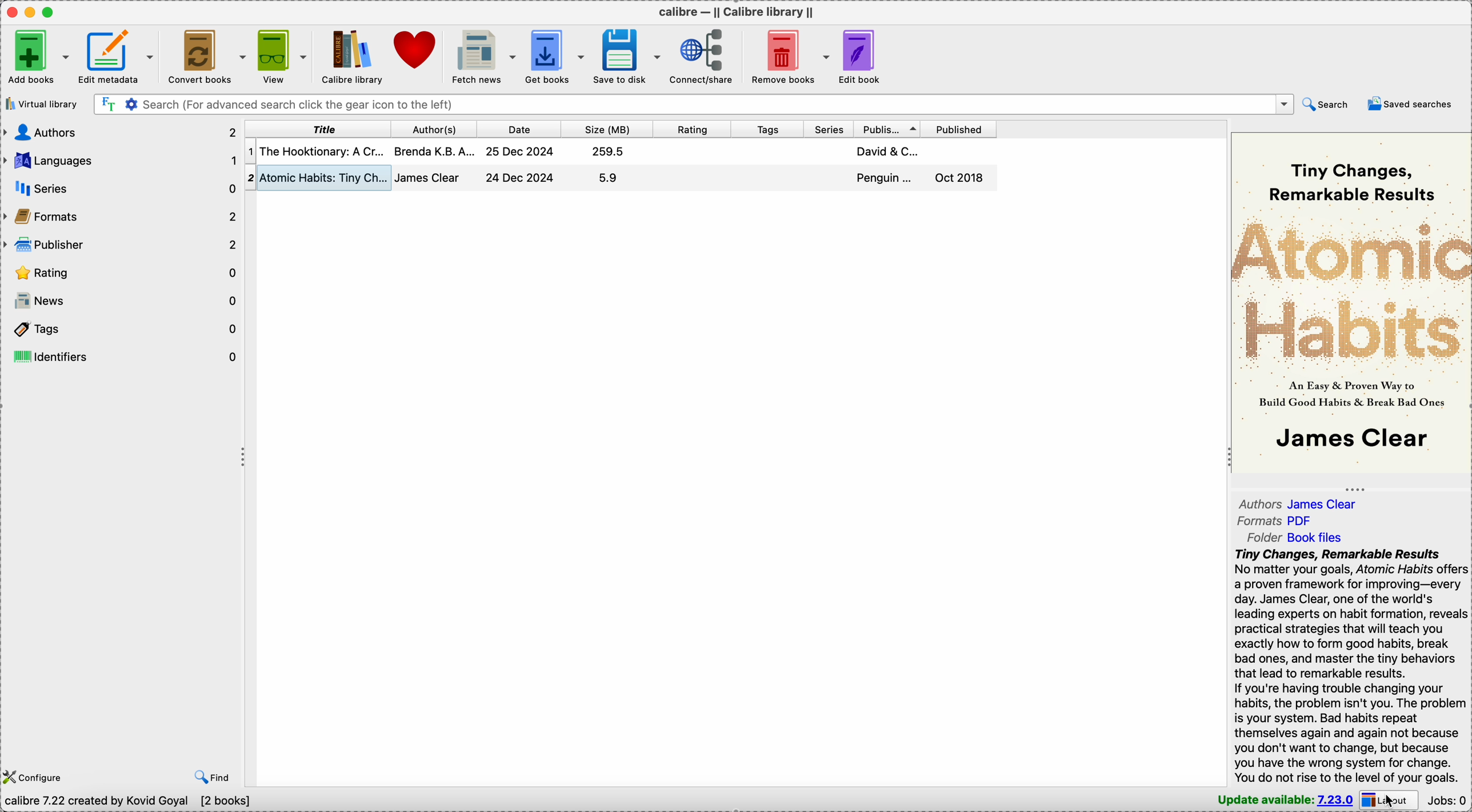  I want to click on author(s), so click(436, 129).